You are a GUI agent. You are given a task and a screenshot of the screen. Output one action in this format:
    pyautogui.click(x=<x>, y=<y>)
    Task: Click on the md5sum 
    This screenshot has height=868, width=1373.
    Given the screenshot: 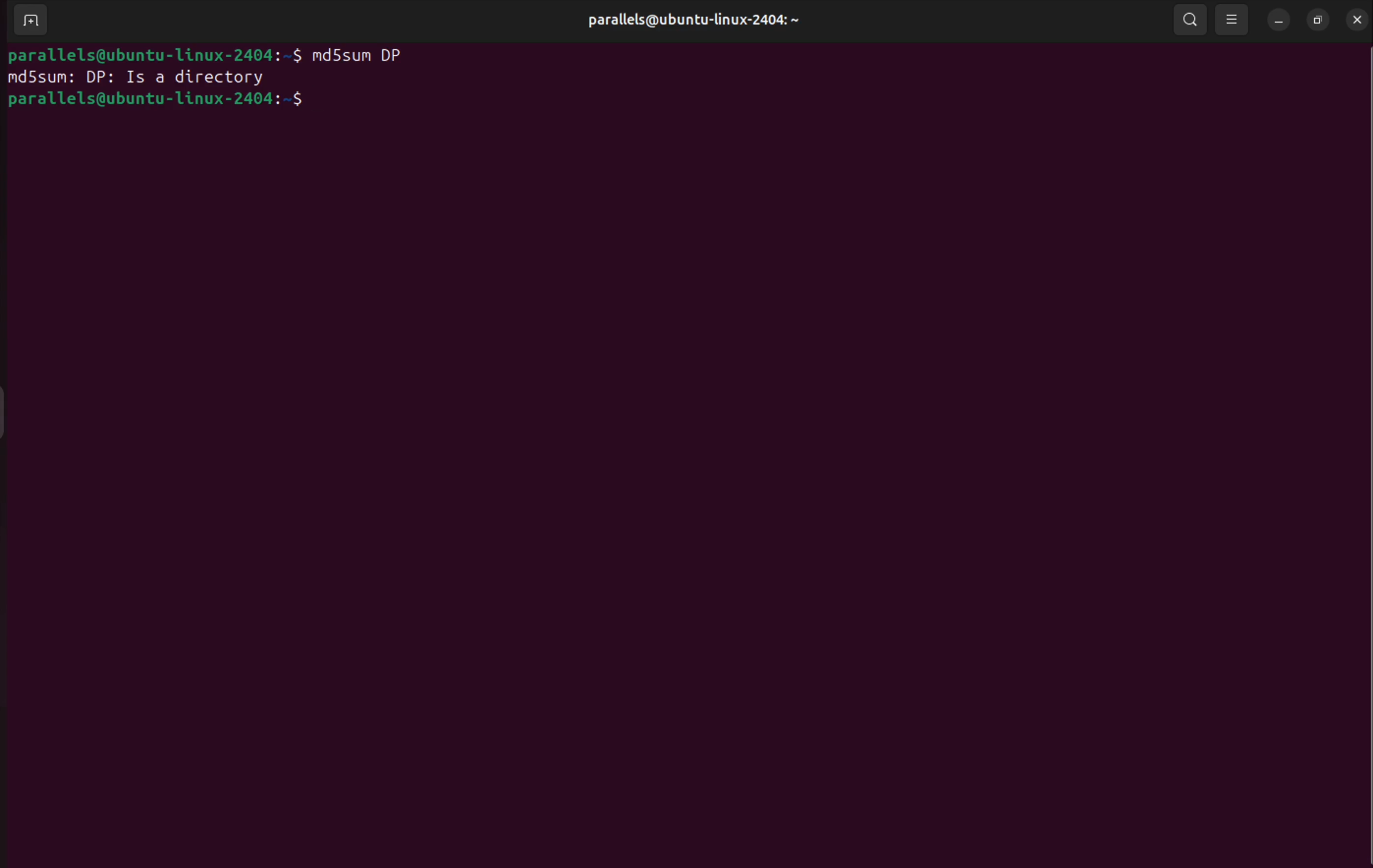 What is the action you would take?
    pyautogui.click(x=42, y=78)
    